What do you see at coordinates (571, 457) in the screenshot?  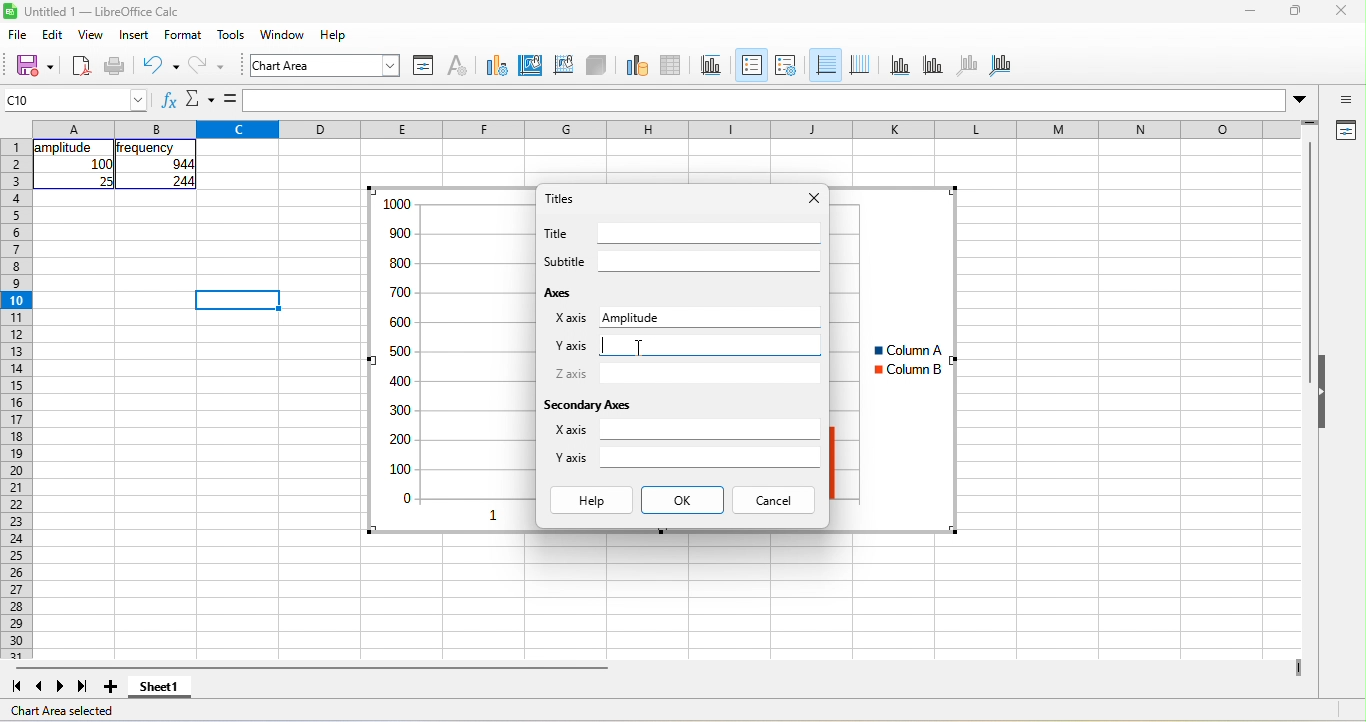 I see `Y axis` at bounding box center [571, 457].